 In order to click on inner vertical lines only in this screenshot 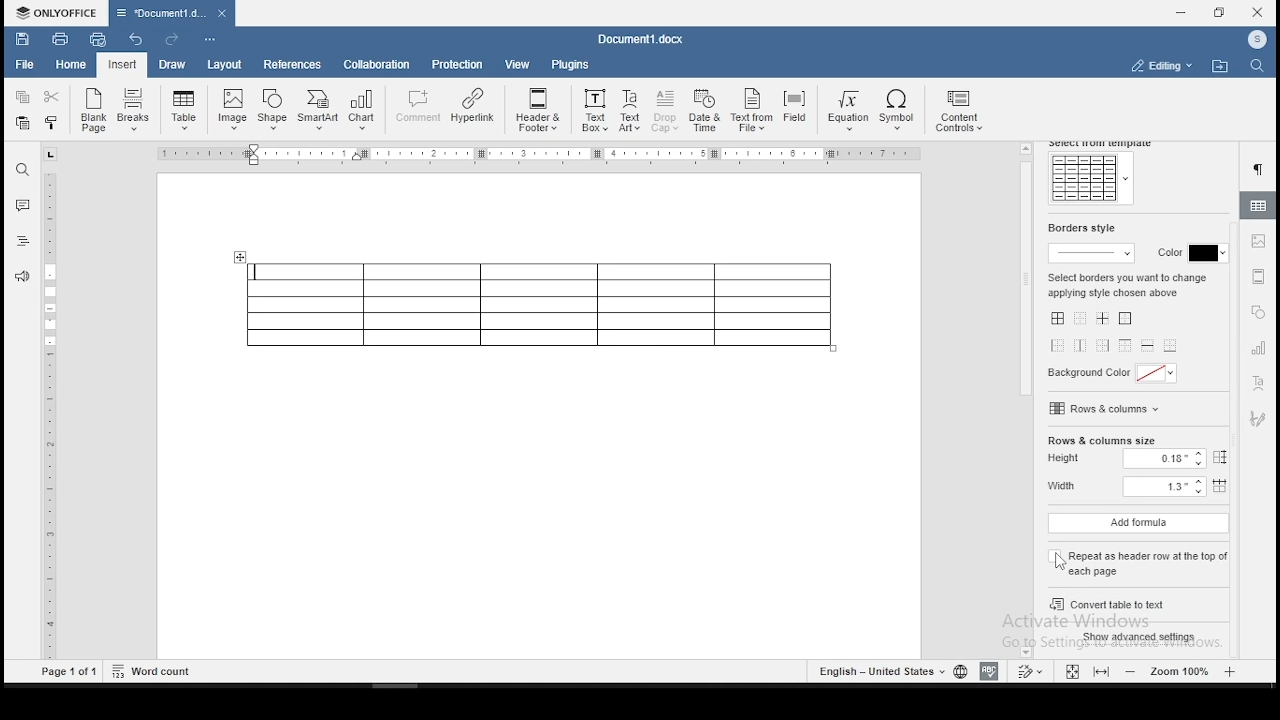, I will do `click(1081, 346)`.